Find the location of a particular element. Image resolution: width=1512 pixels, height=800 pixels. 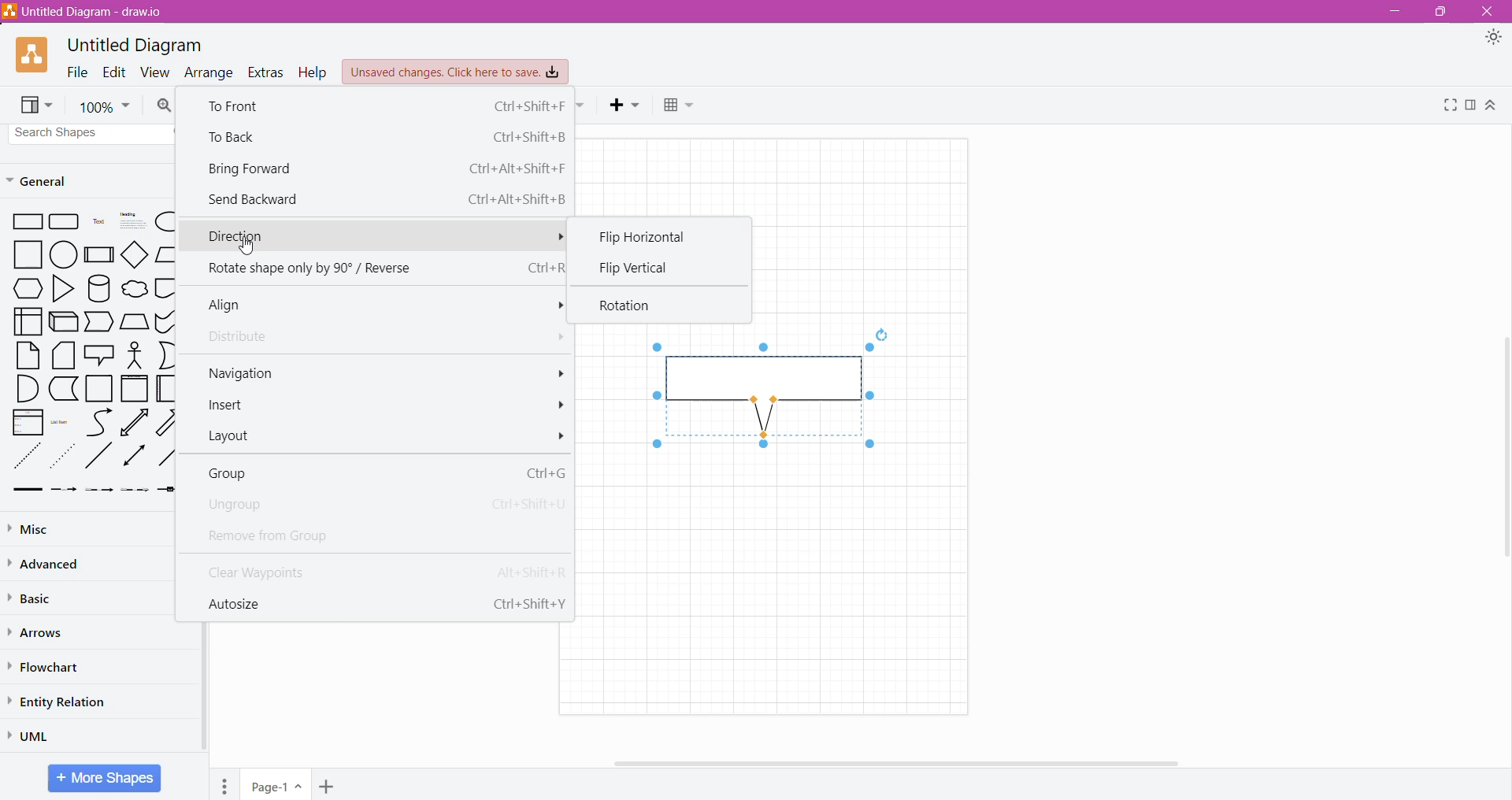

Dotted Line  is located at coordinates (26, 456).